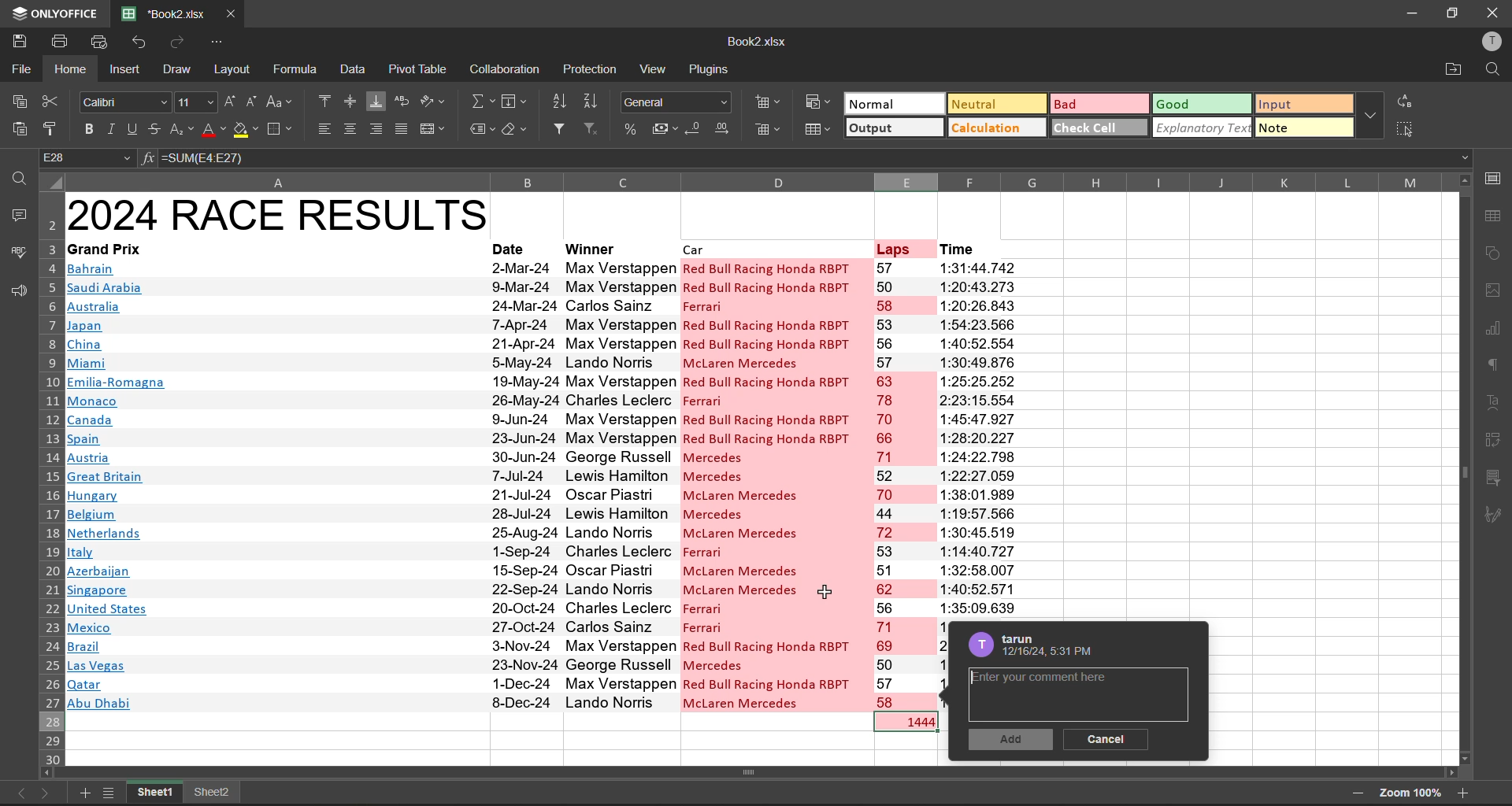  Describe the element at coordinates (728, 127) in the screenshot. I see `increase decimal` at that location.